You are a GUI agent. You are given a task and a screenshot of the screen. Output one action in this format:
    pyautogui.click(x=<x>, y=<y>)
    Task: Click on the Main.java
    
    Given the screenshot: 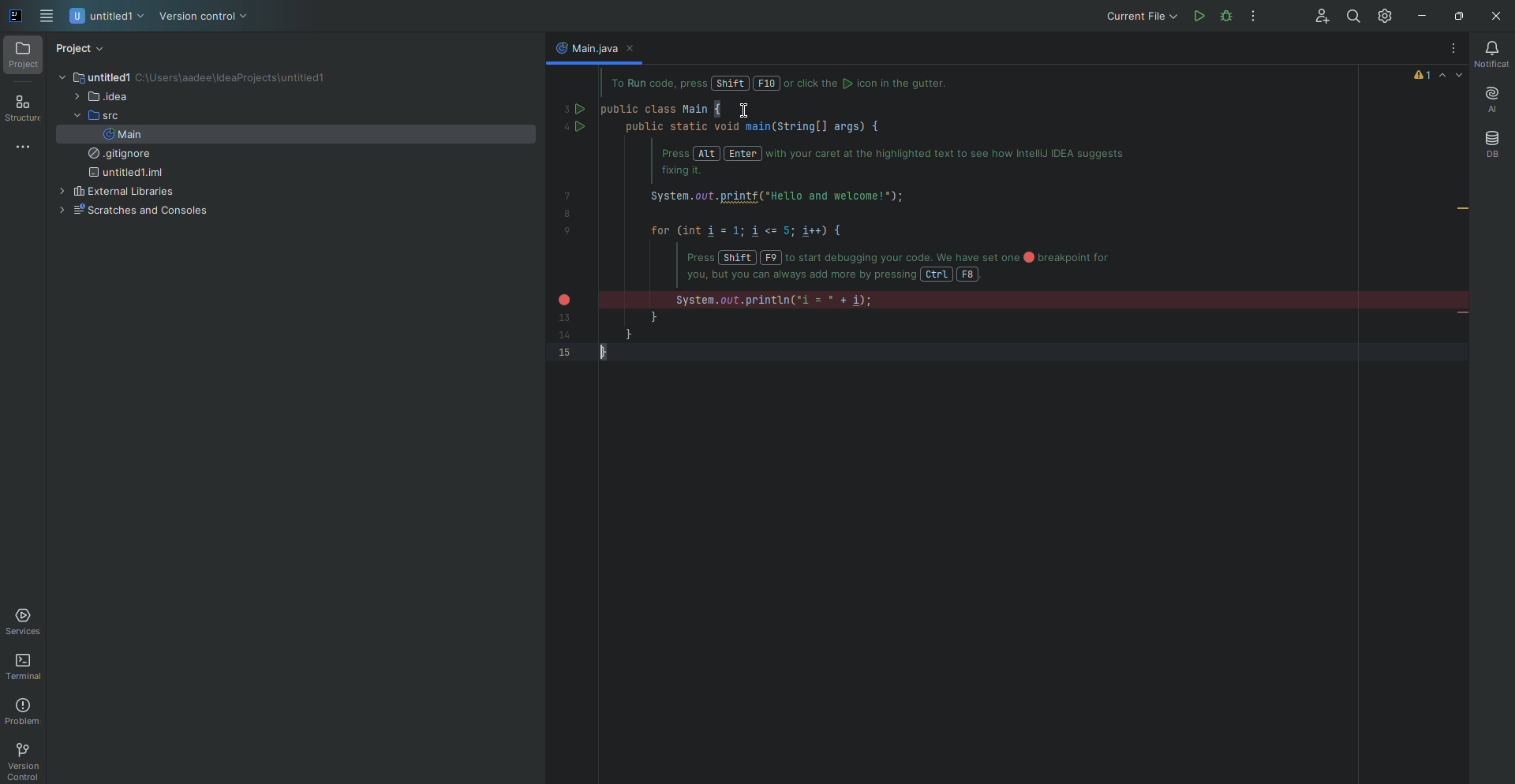 What is the action you would take?
    pyautogui.click(x=585, y=47)
    